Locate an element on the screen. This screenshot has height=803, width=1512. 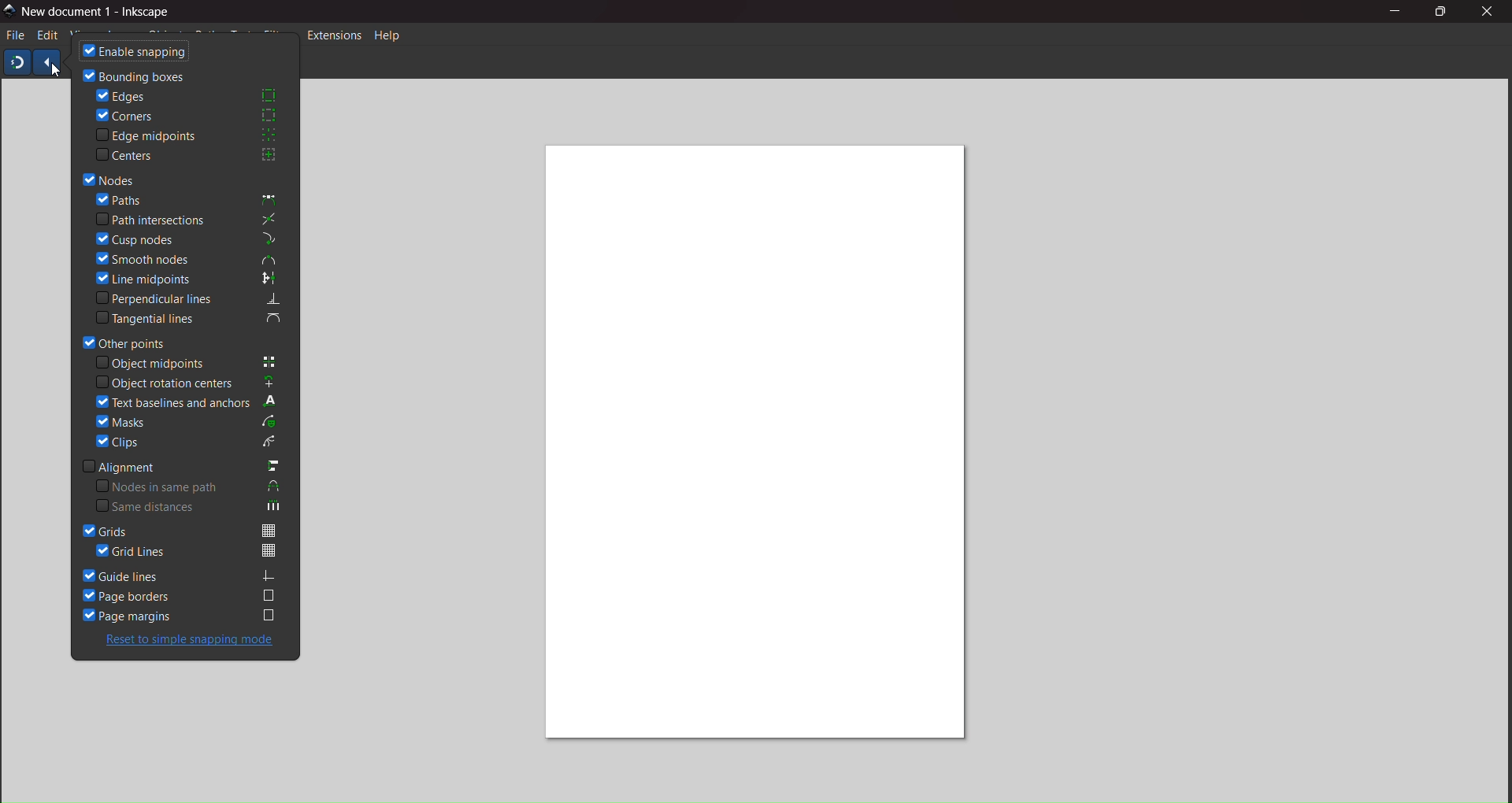
snapping dropdown is located at coordinates (46, 64).